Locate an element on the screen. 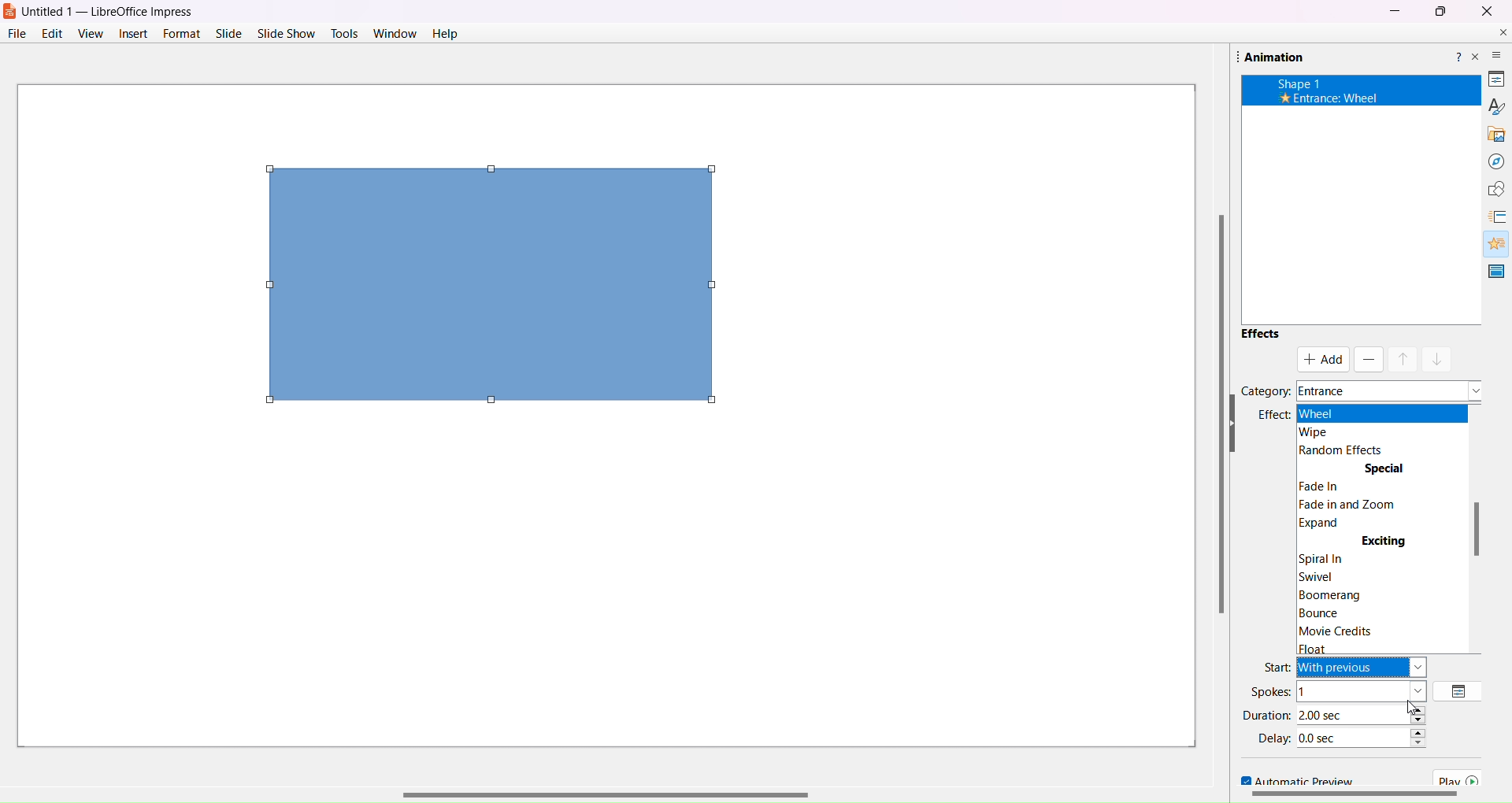  Shapes is located at coordinates (1491, 189).